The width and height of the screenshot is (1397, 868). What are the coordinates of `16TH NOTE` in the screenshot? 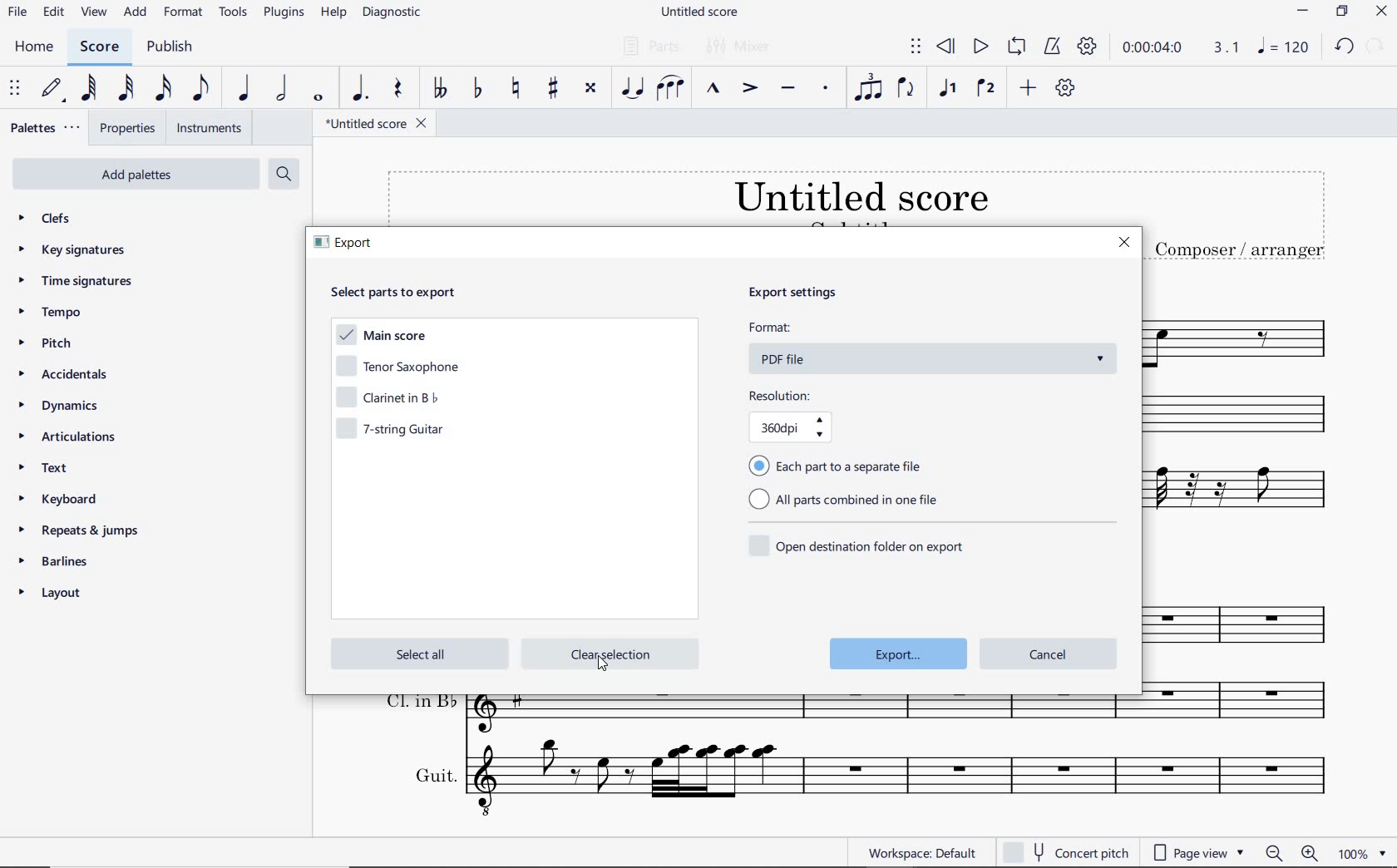 It's located at (165, 89).